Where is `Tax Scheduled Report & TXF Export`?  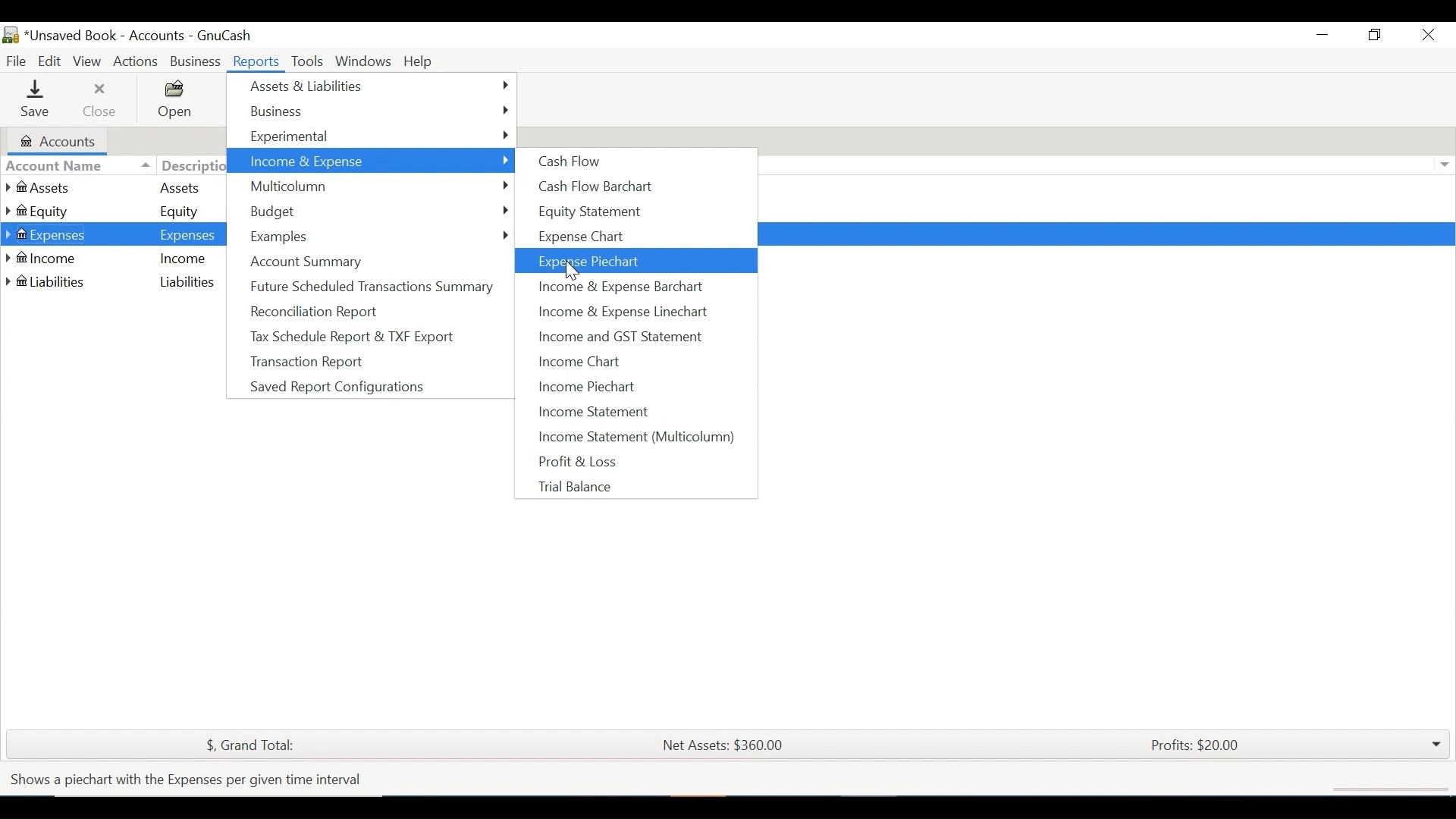
Tax Scheduled Report & TXF Export is located at coordinates (353, 337).